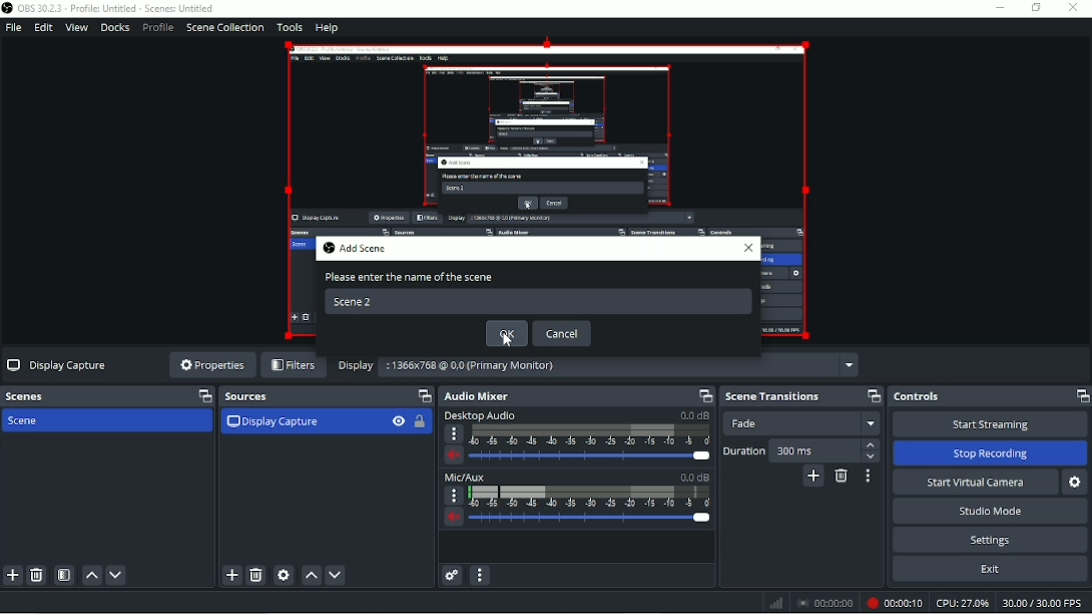 This screenshot has height=614, width=1092. Describe the element at coordinates (38, 575) in the screenshot. I see `Remove selected scene` at that location.